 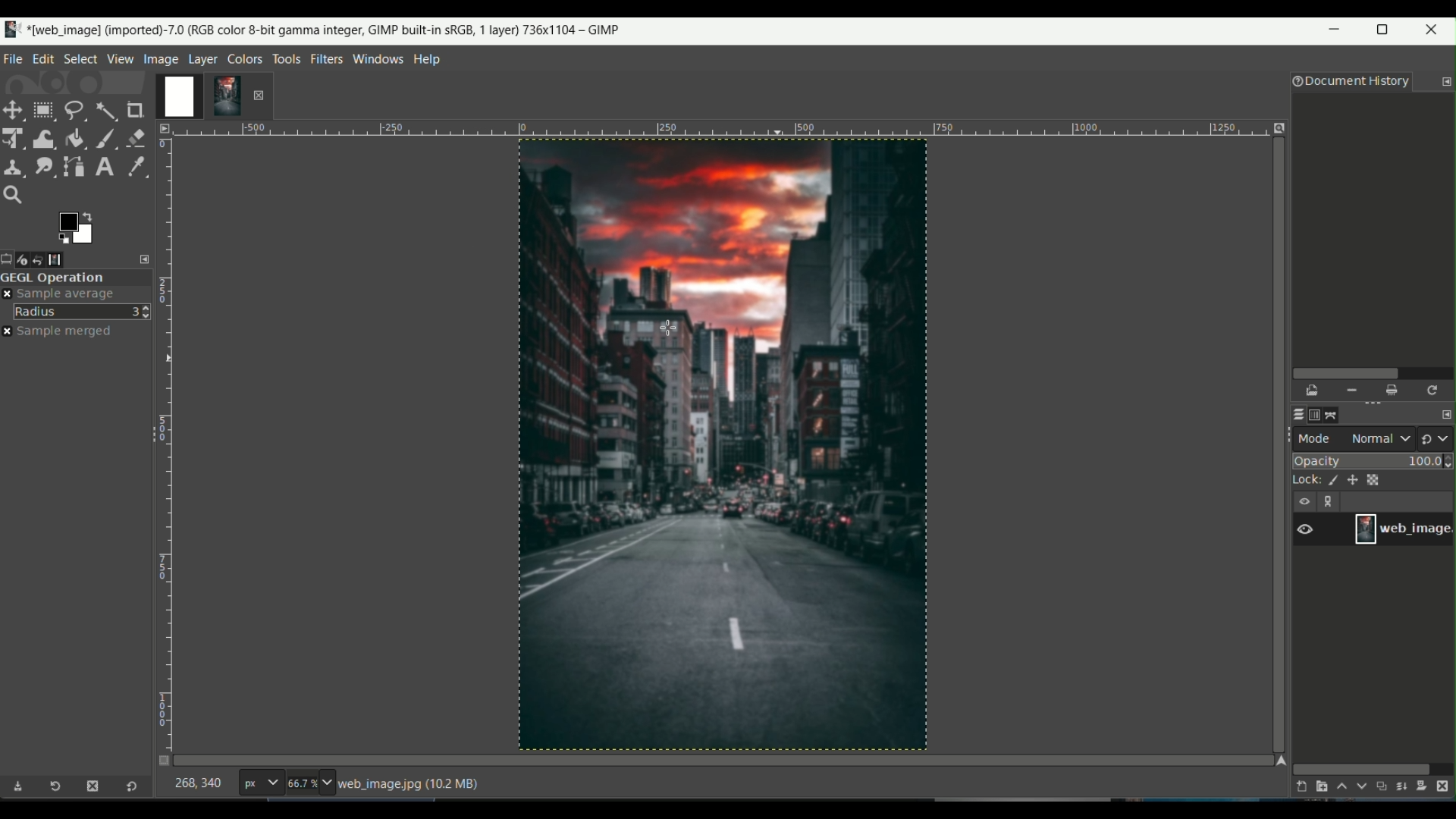 What do you see at coordinates (103, 167) in the screenshot?
I see `text tool` at bounding box center [103, 167].